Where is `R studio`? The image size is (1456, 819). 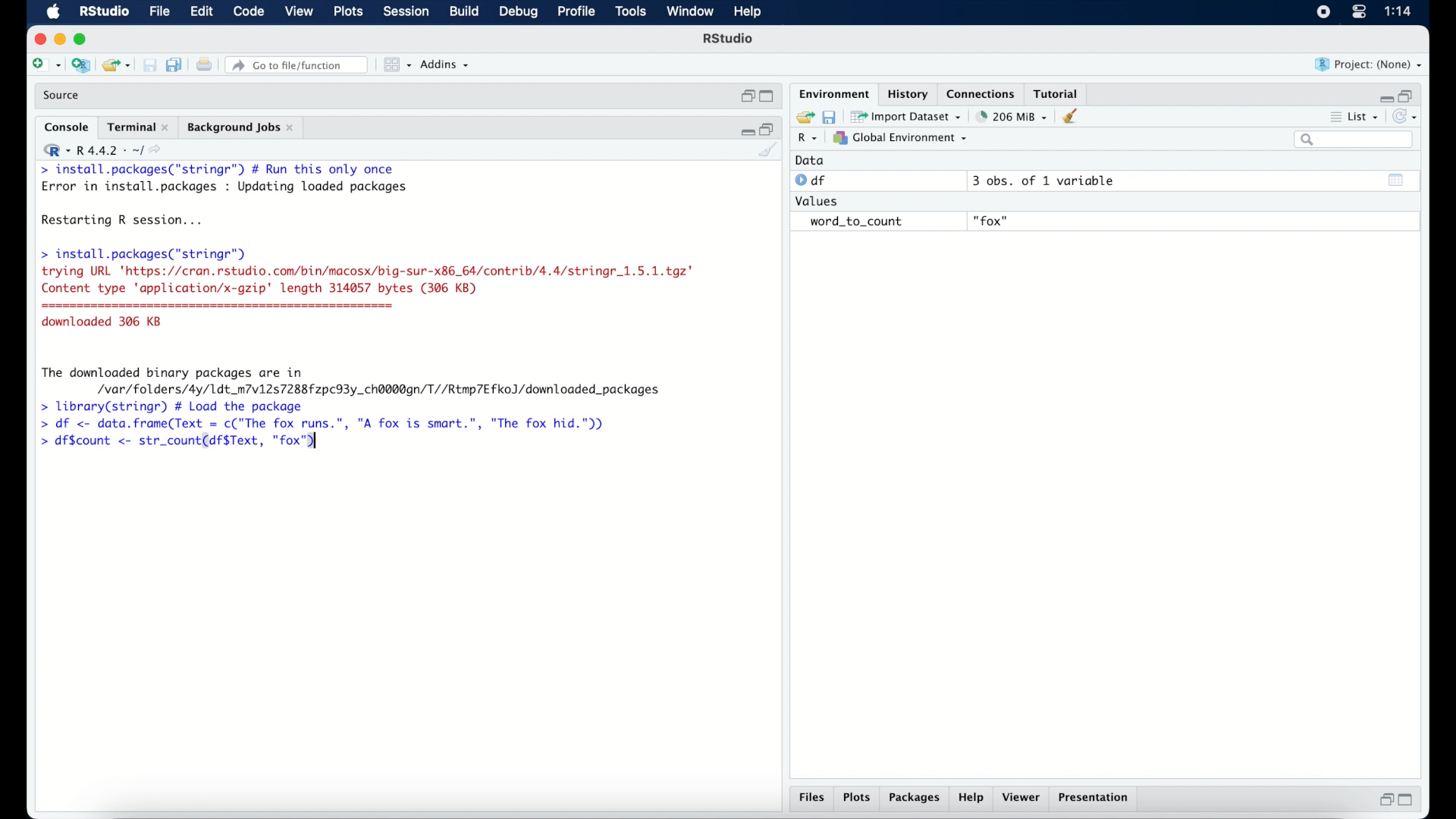 R studio is located at coordinates (728, 39).